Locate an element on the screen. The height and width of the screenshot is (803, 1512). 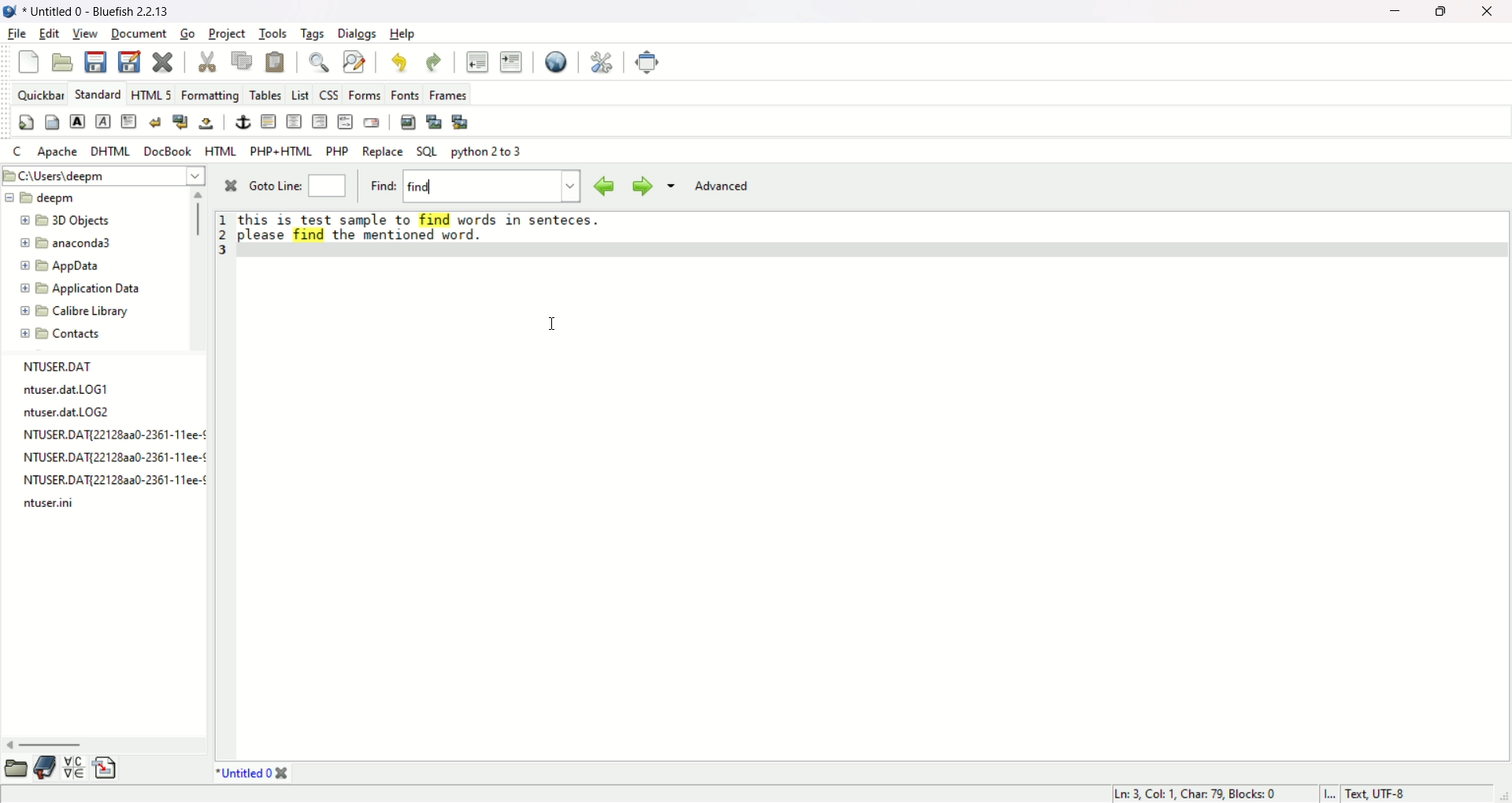
email is located at coordinates (370, 122).